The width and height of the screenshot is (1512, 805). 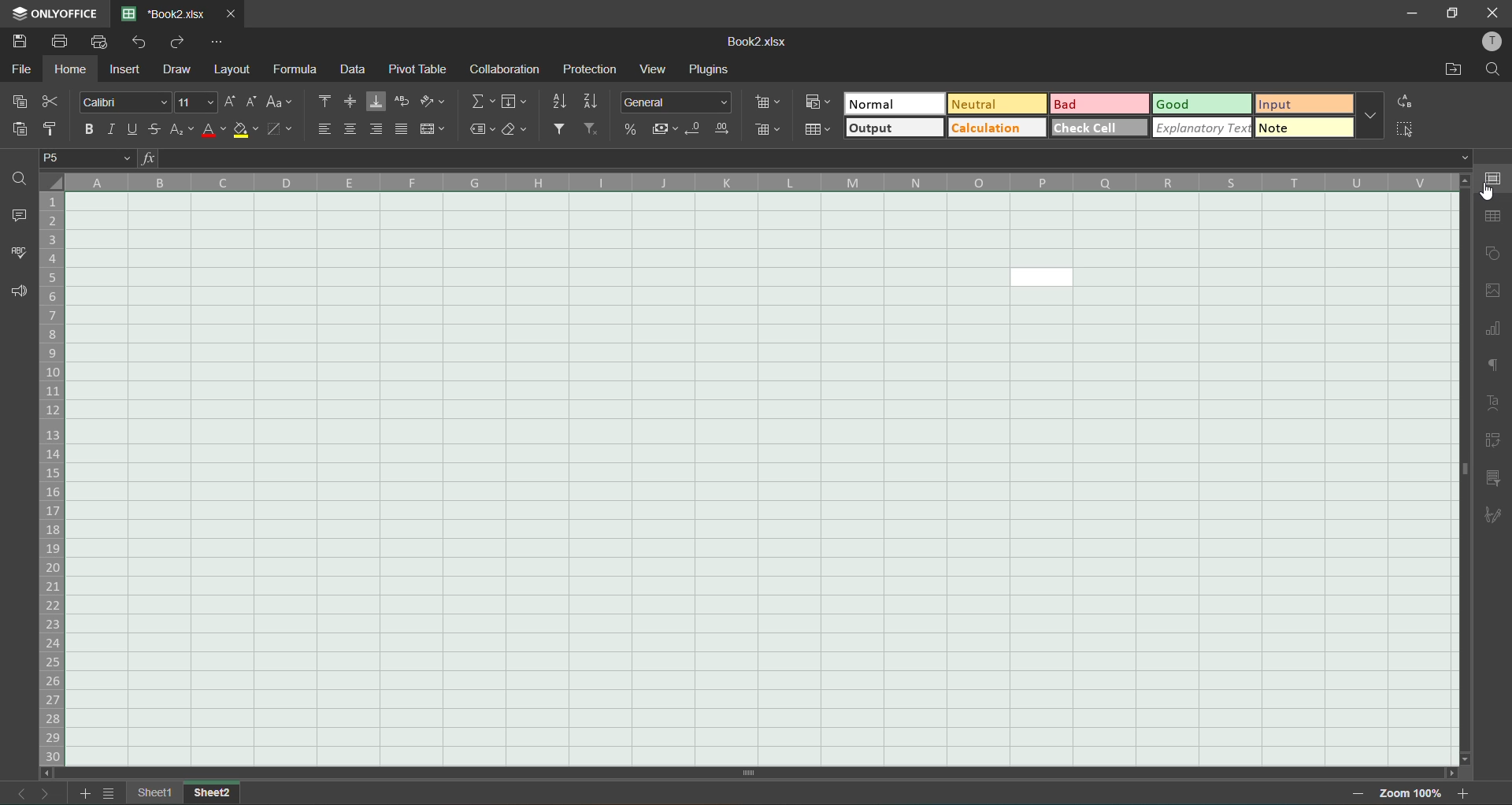 I want to click on images, so click(x=1495, y=292).